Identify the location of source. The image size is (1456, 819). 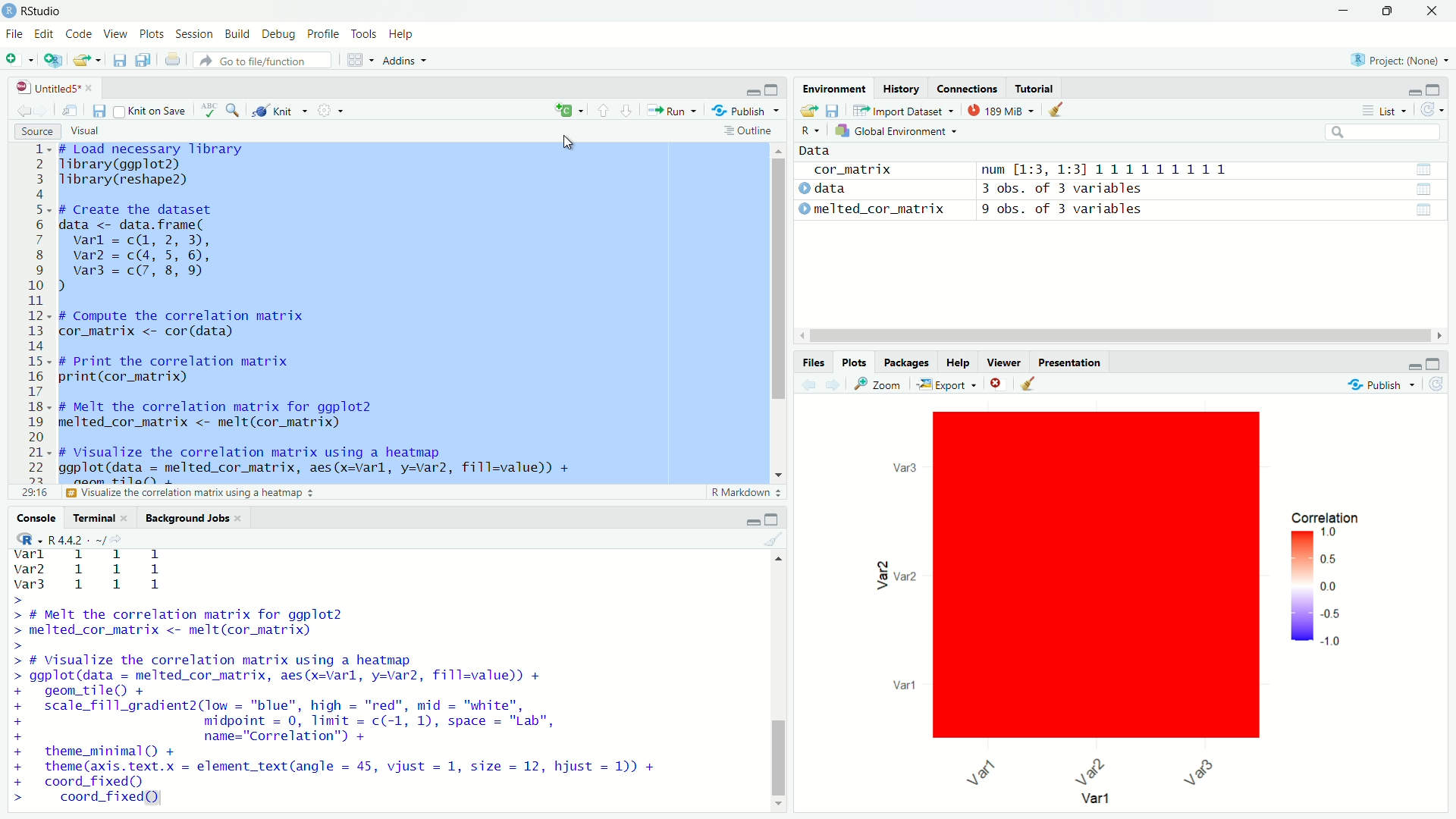
(37, 131).